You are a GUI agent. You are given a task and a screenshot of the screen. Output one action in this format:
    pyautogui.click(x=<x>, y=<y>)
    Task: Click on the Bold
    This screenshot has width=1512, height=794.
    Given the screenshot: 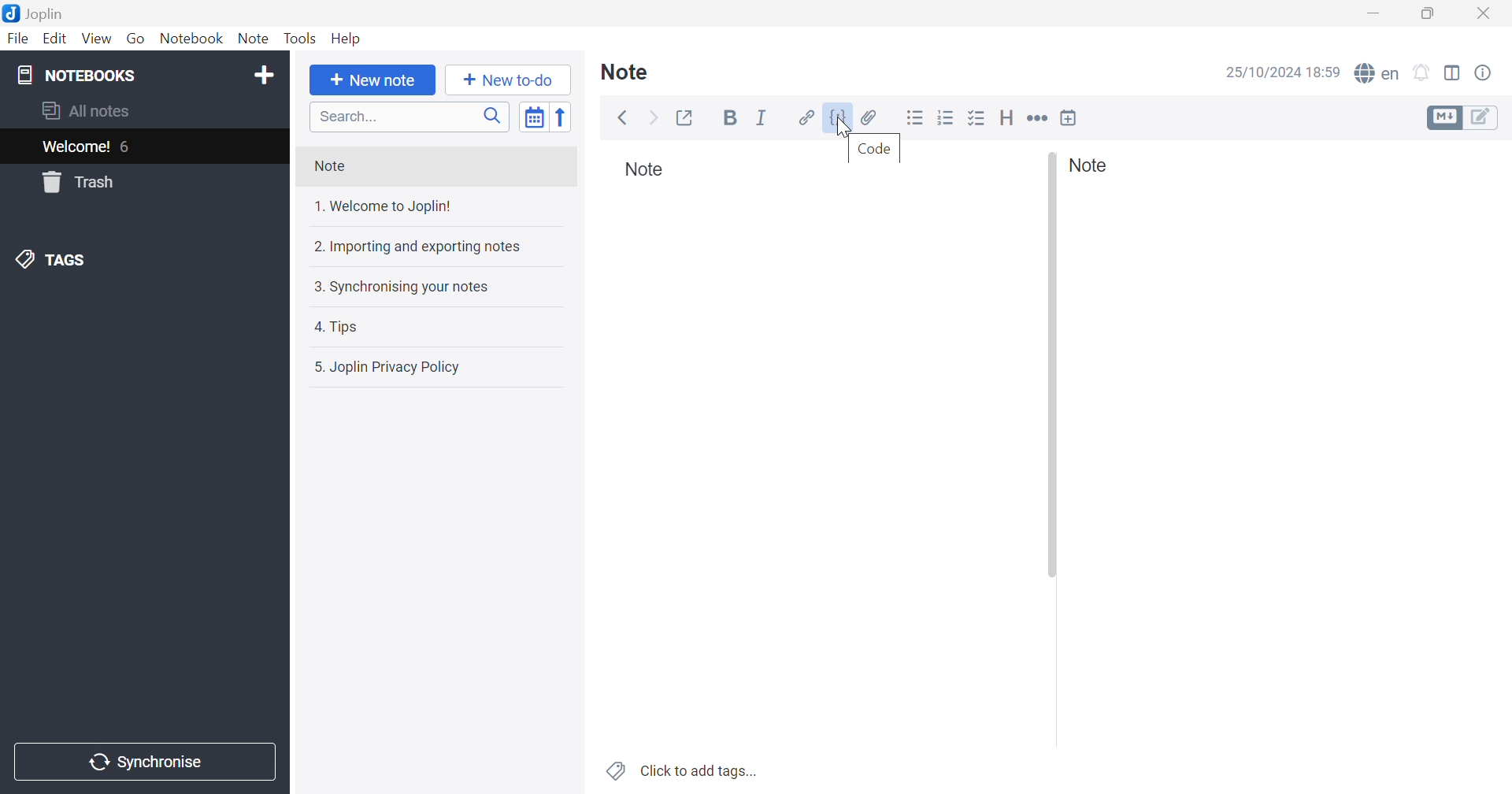 What is the action you would take?
    pyautogui.click(x=730, y=117)
    